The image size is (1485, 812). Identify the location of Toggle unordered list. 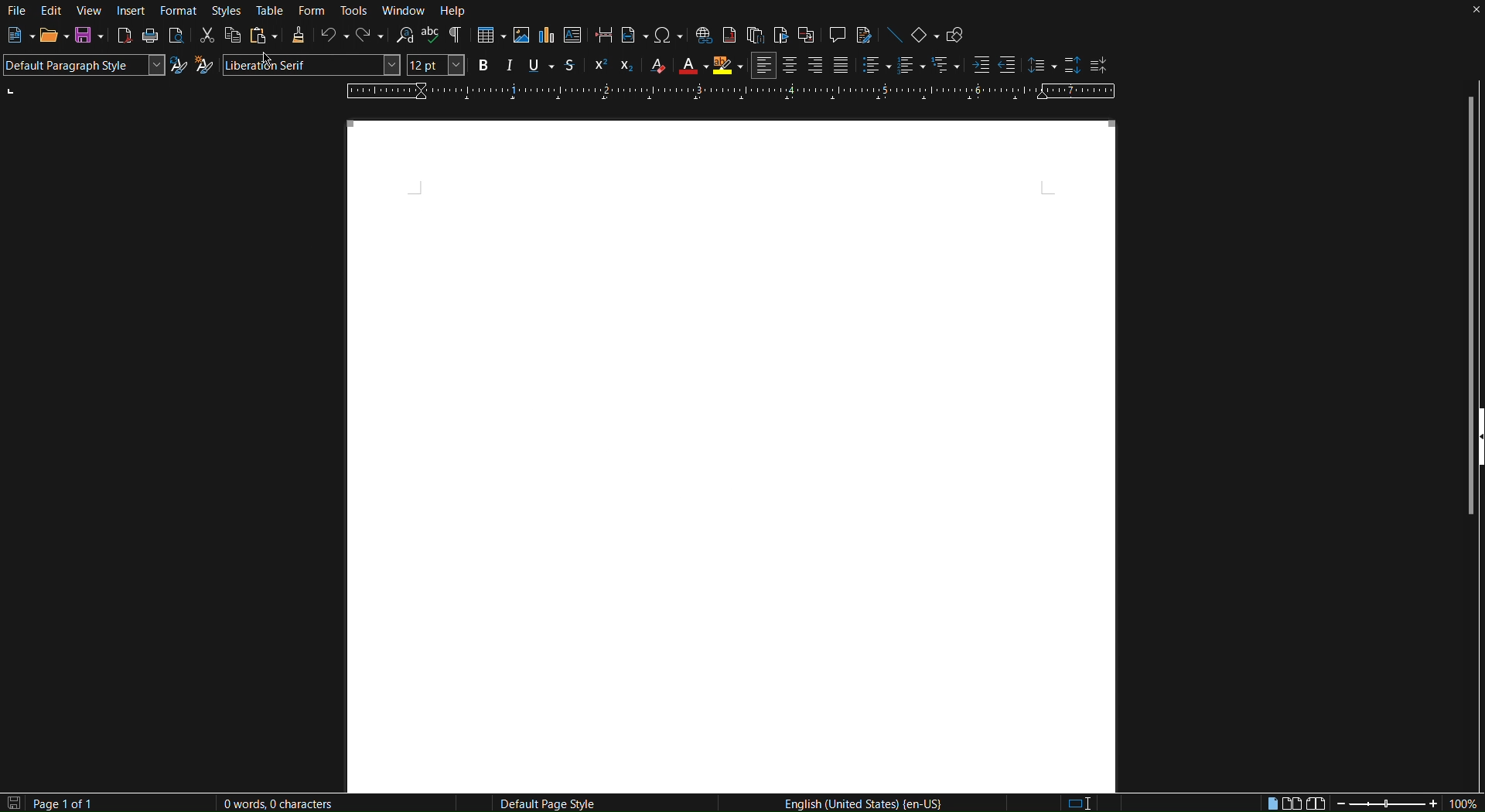
(873, 67).